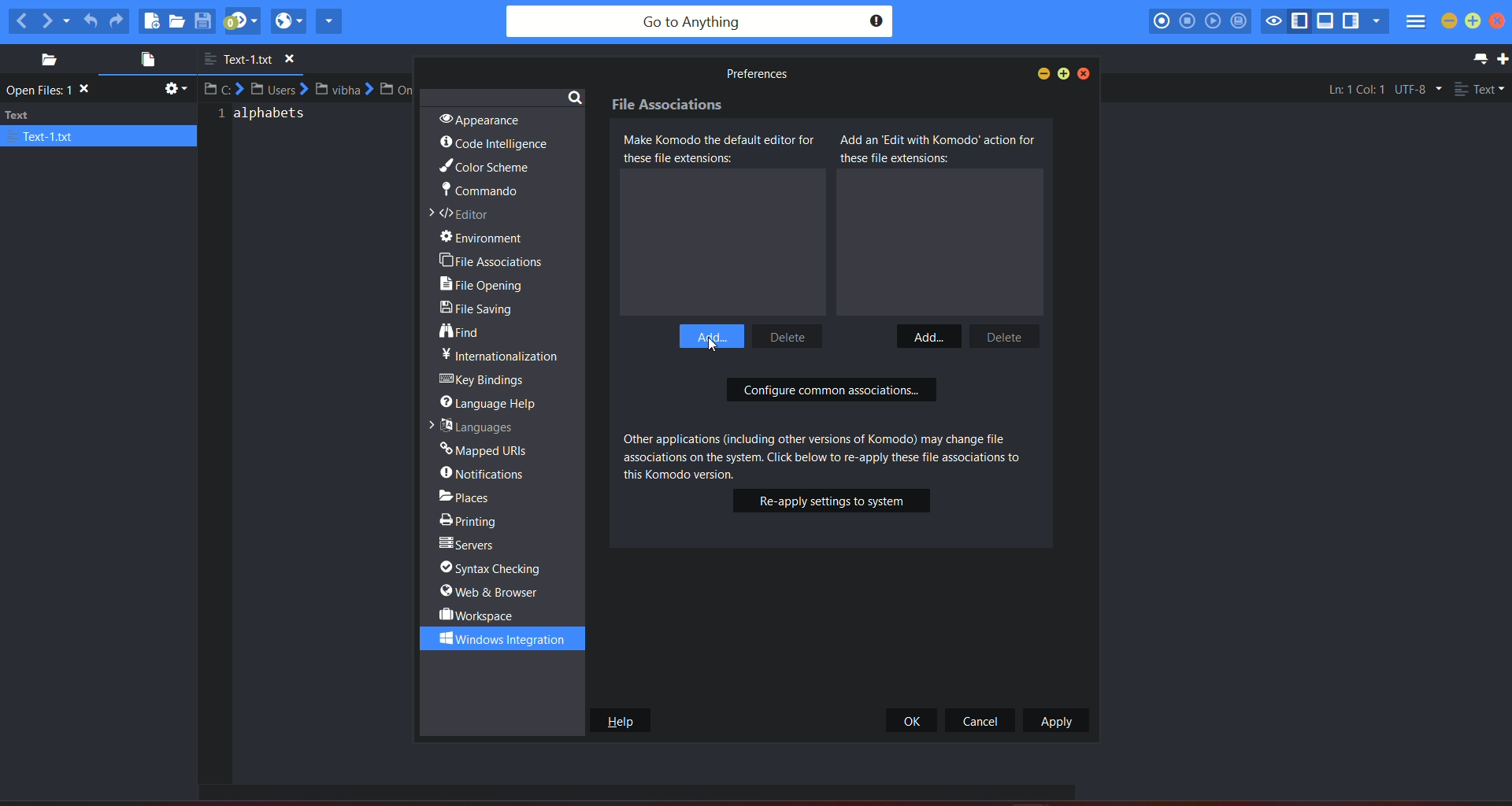  What do you see at coordinates (20, 20) in the screenshot?
I see `previous` at bounding box center [20, 20].